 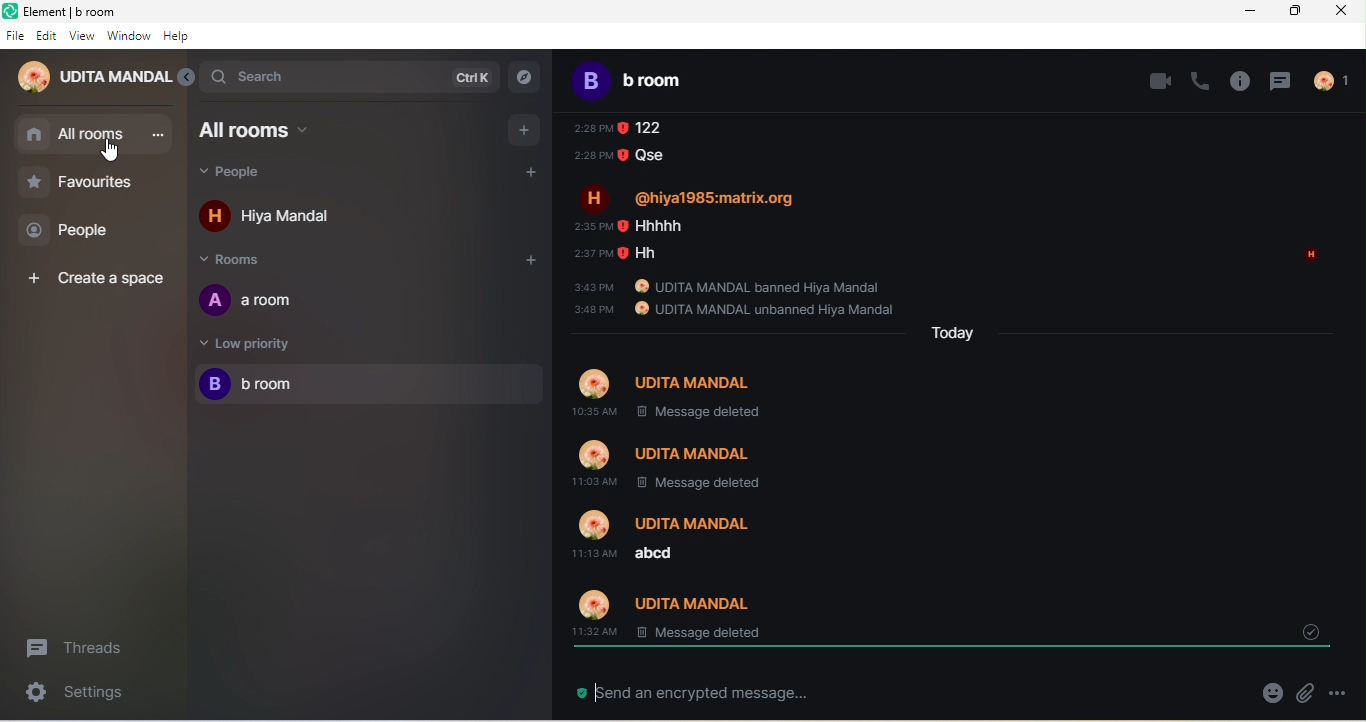 I want to click on people, so click(x=80, y=230).